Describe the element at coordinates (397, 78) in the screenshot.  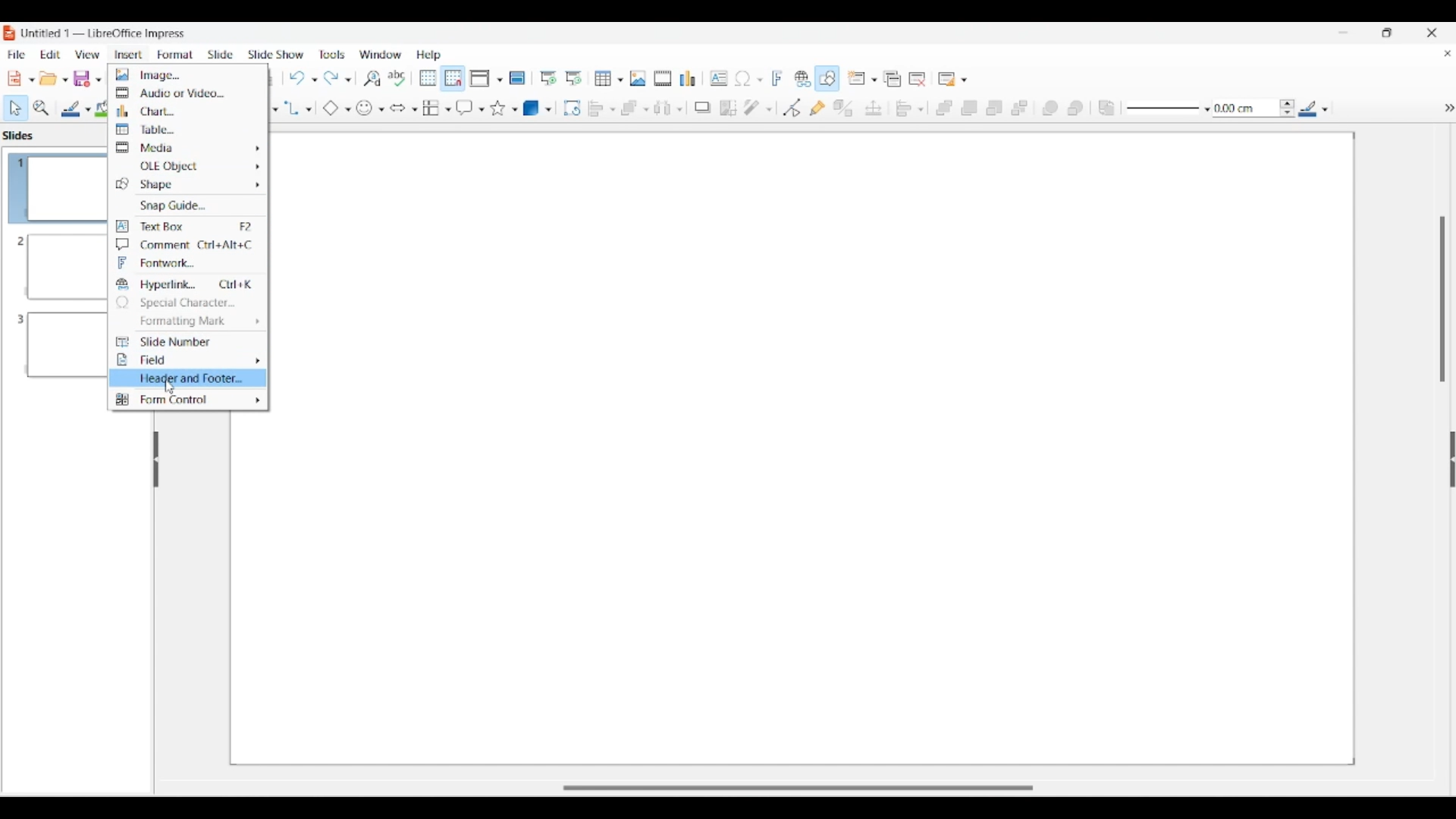
I see `Spell check` at that location.